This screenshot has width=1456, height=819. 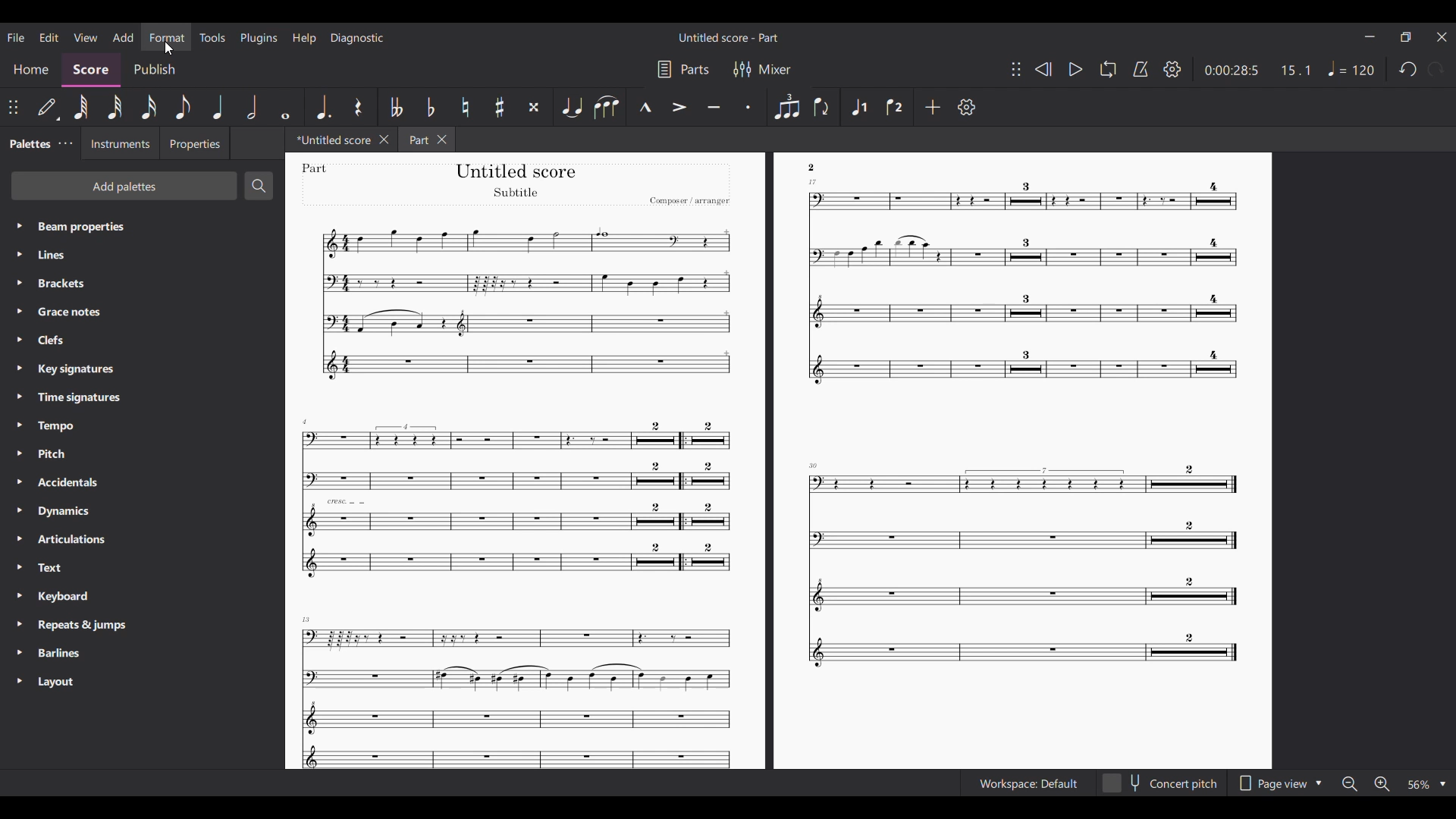 What do you see at coordinates (1043, 69) in the screenshot?
I see `Rewind` at bounding box center [1043, 69].